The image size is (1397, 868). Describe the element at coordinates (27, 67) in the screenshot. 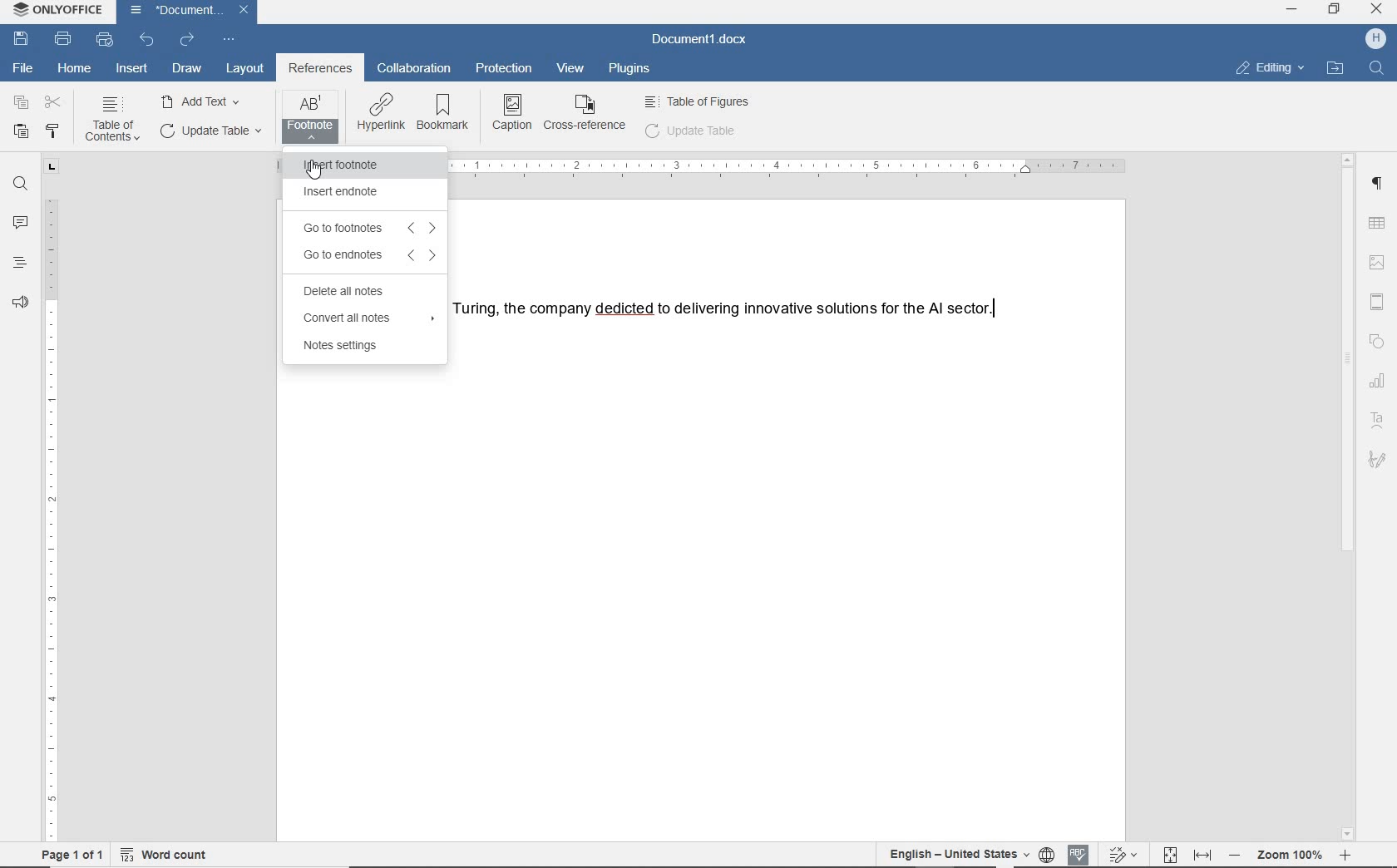

I see `file` at that location.